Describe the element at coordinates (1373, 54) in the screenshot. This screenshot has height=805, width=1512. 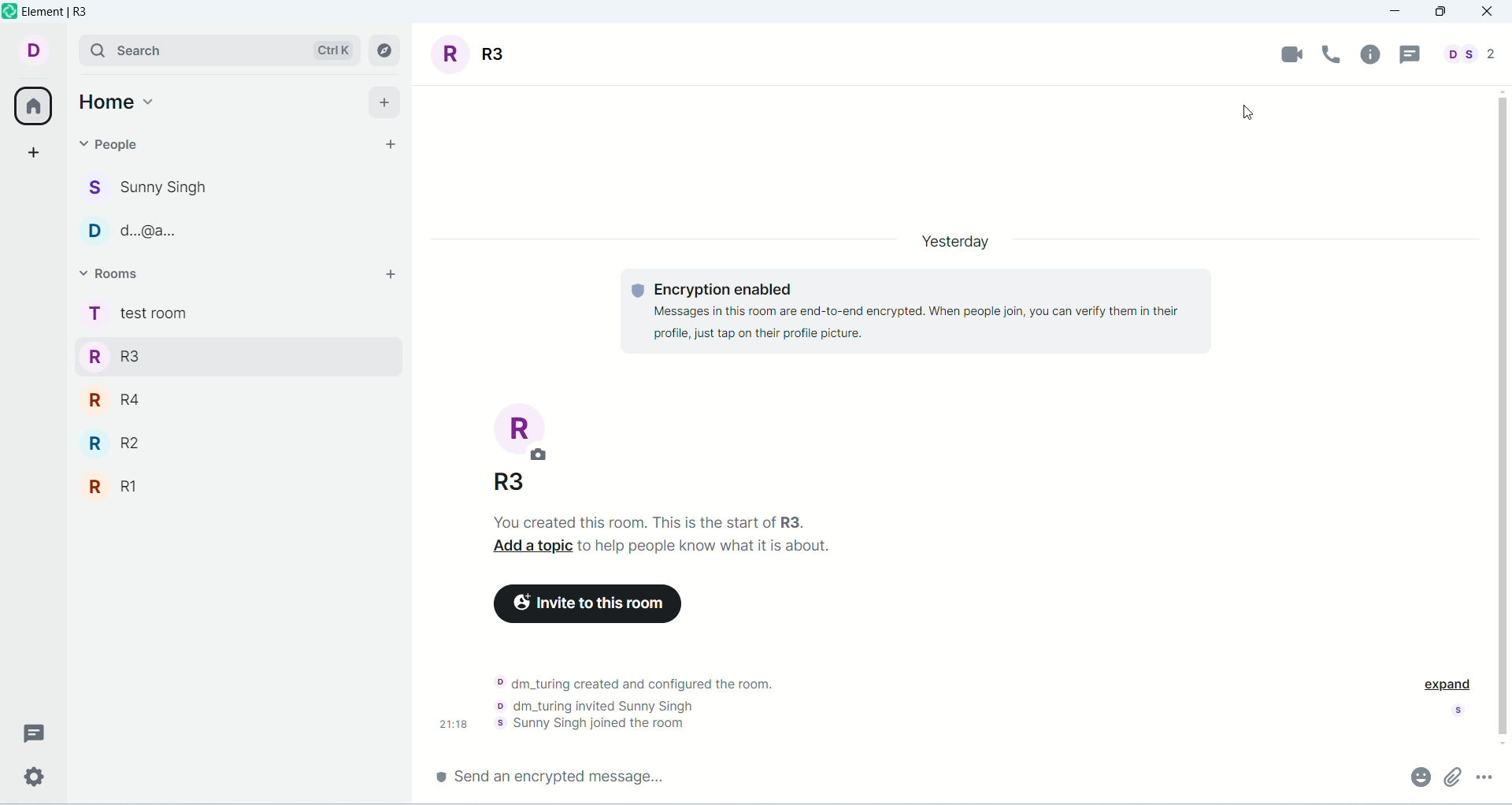
I see `room info` at that location.